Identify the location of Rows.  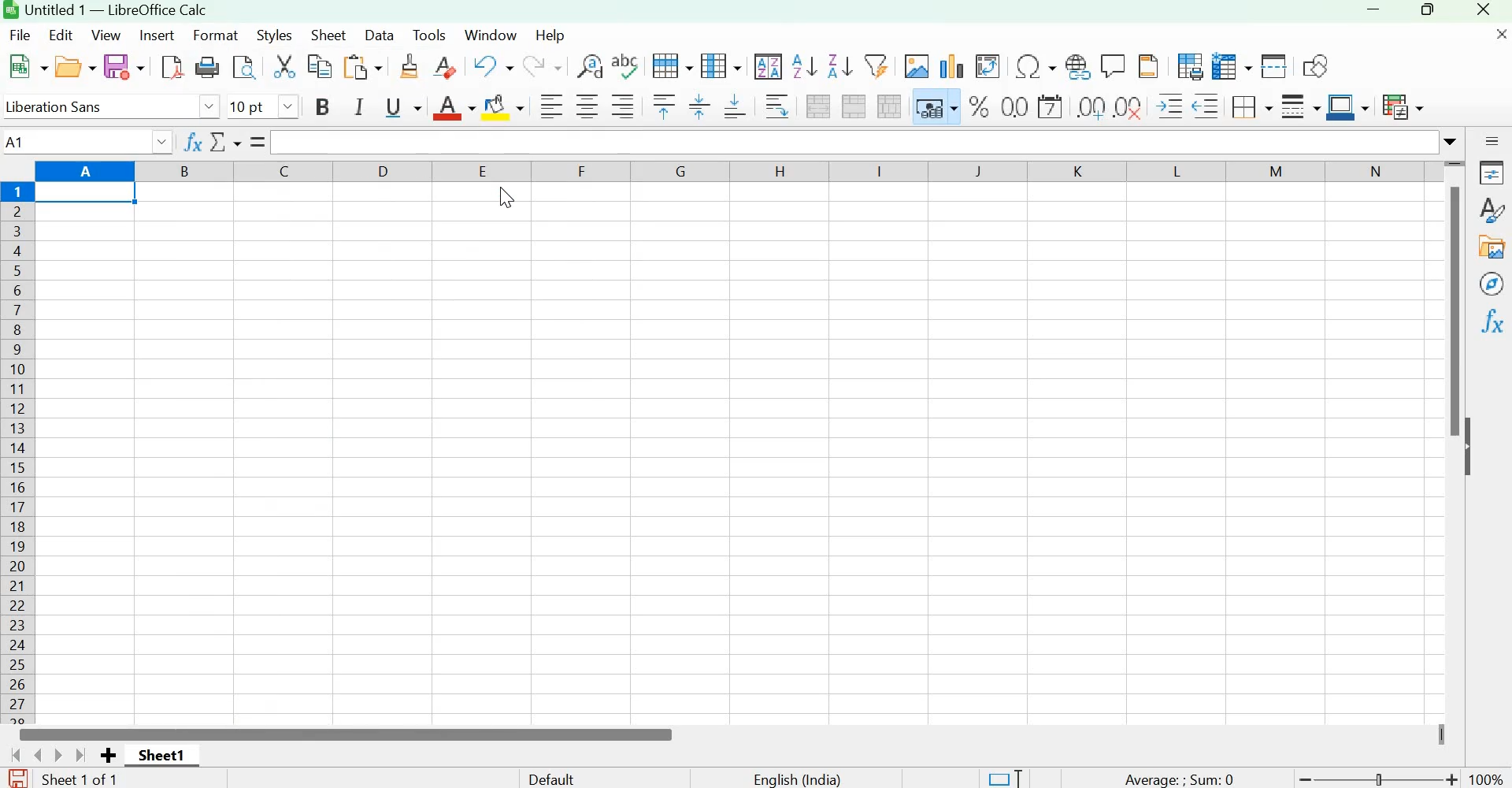
(735, 170).